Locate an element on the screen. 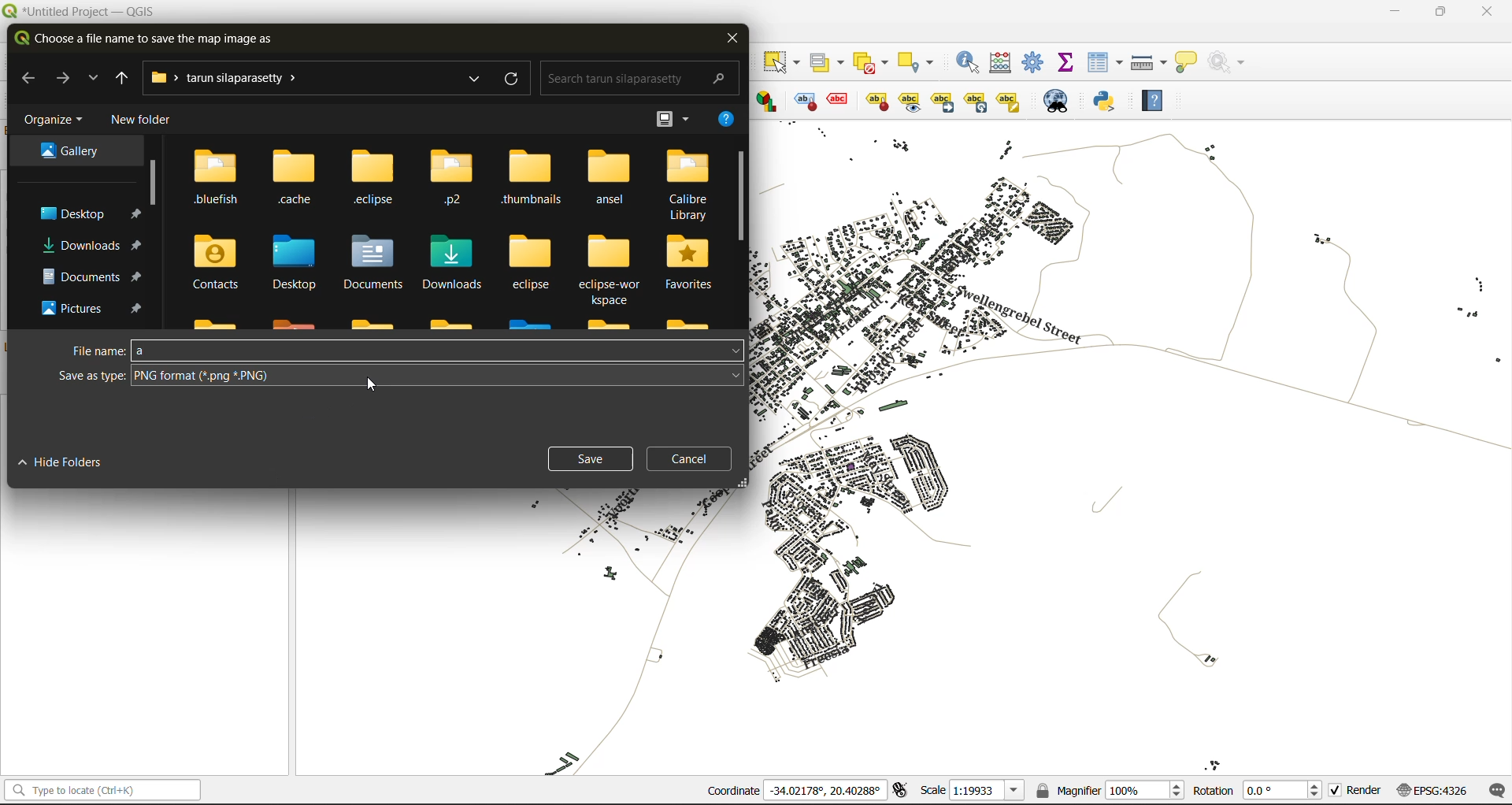  toggle extents is located at coordinates (899, 791).